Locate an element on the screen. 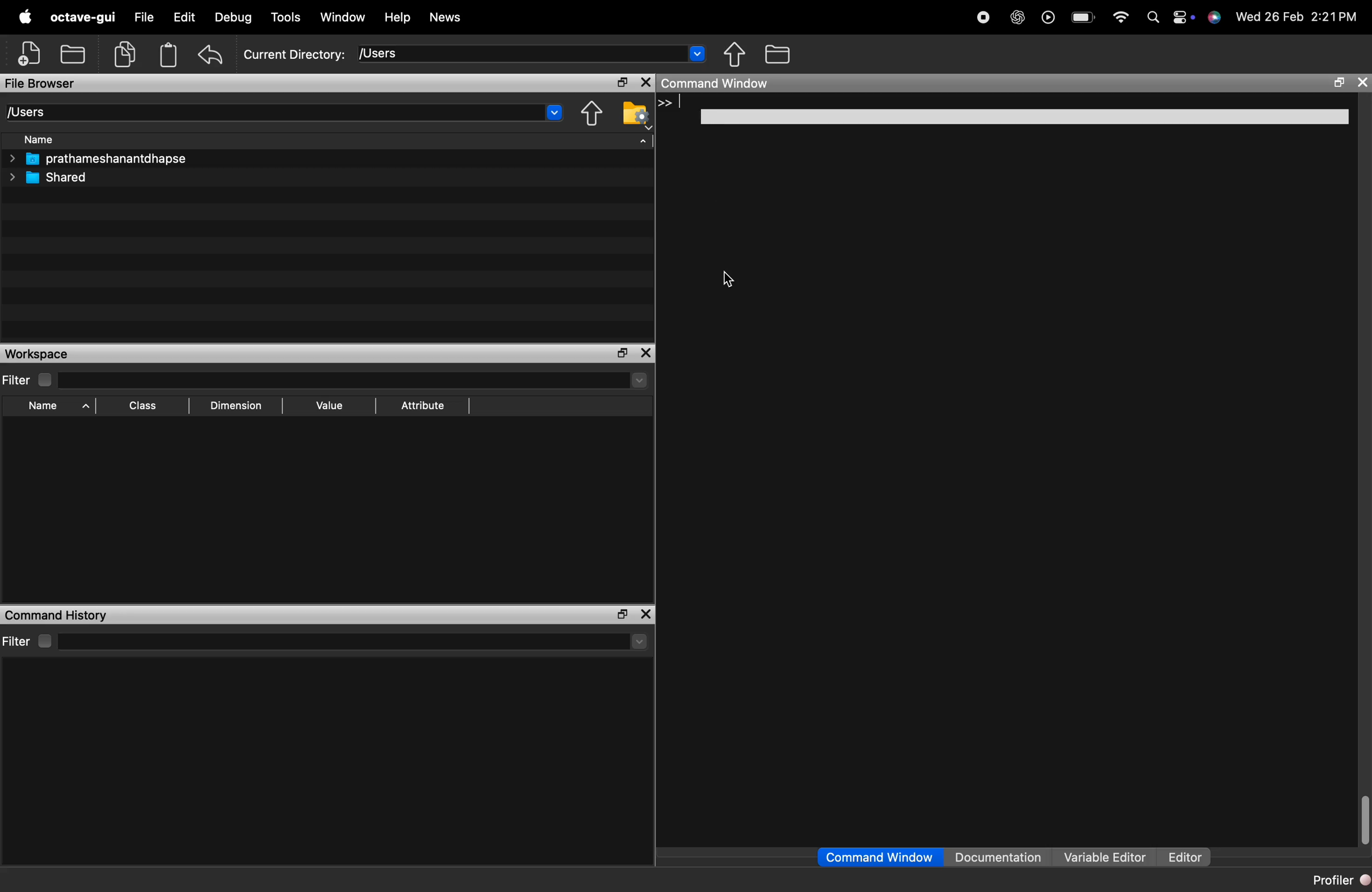  Stop is located at coordinates (985, 16).